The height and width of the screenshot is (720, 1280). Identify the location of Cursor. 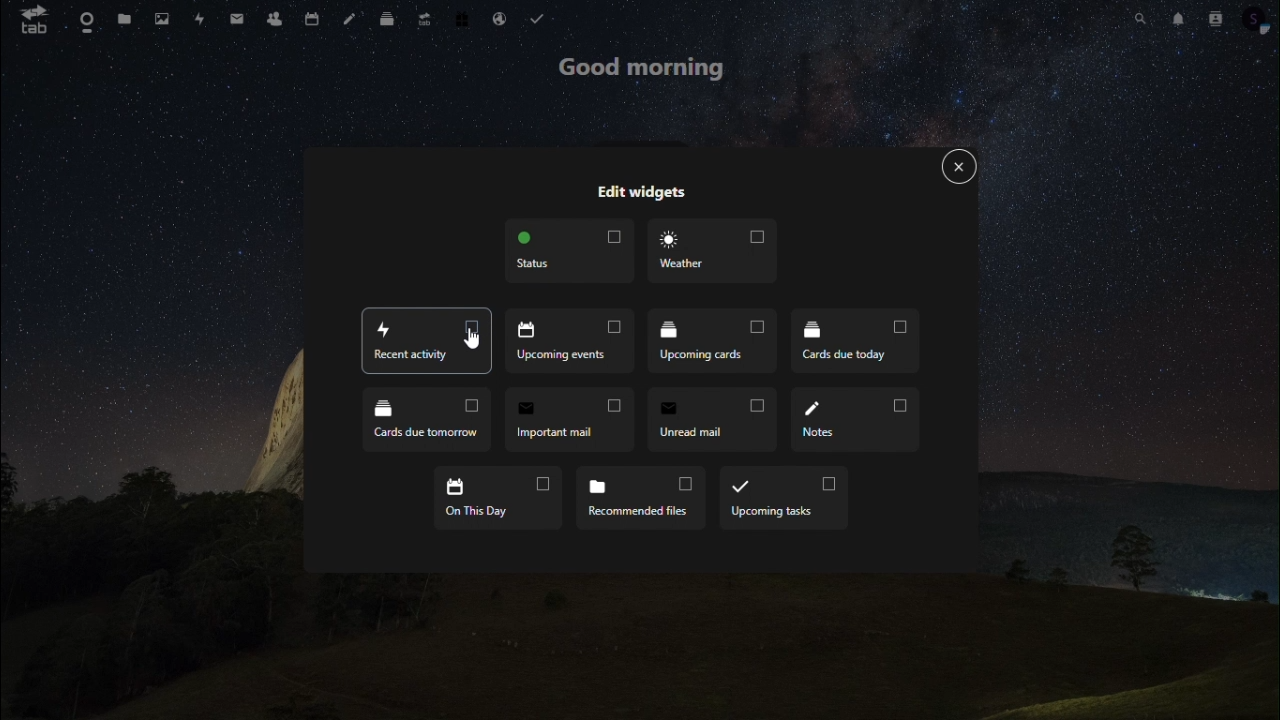
(475, 342).